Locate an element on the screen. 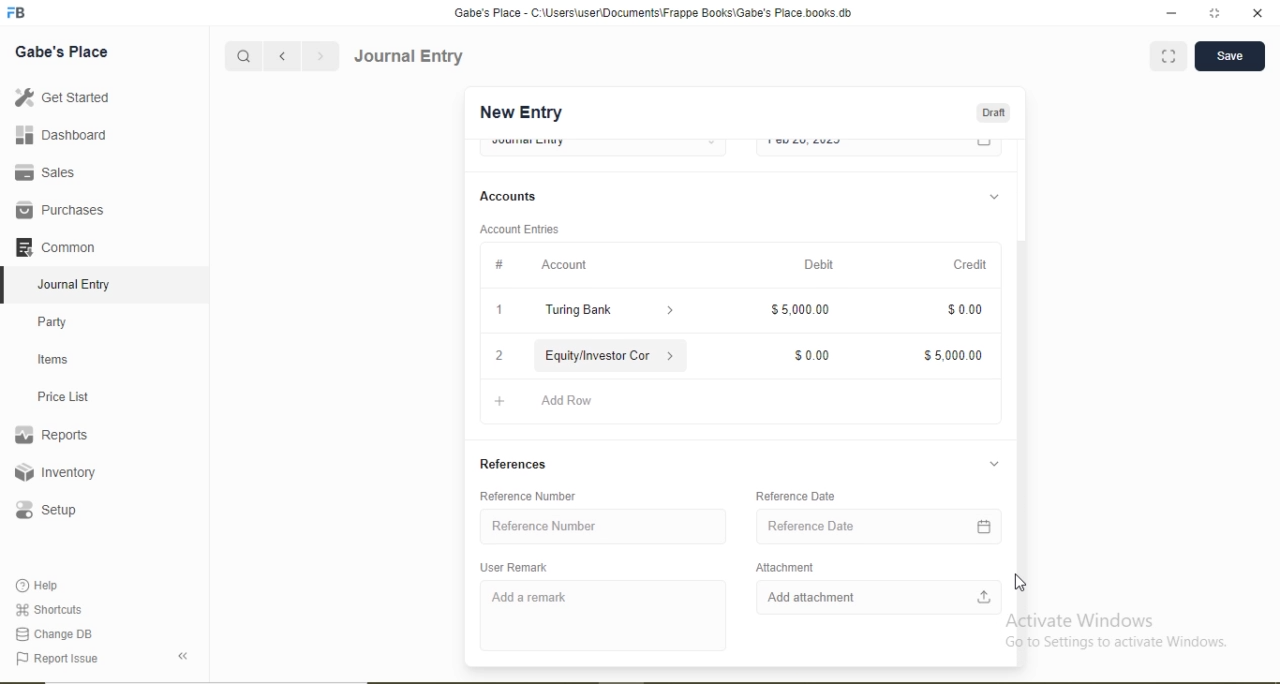 This screenshot has height=684, width=1280. full screen is located at coordinates (1215, 13).